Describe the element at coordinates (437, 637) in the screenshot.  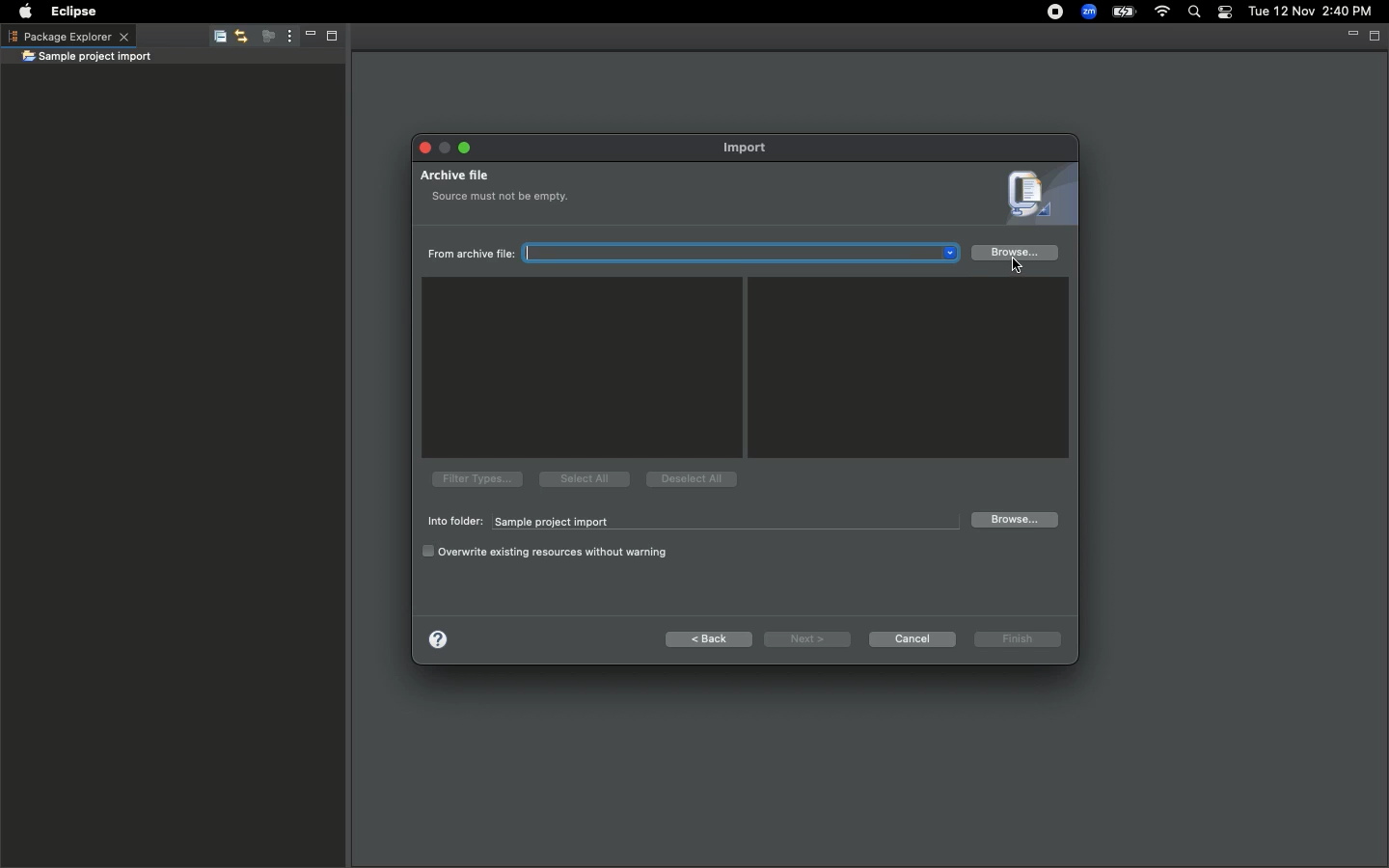
I see `Help` at that location.